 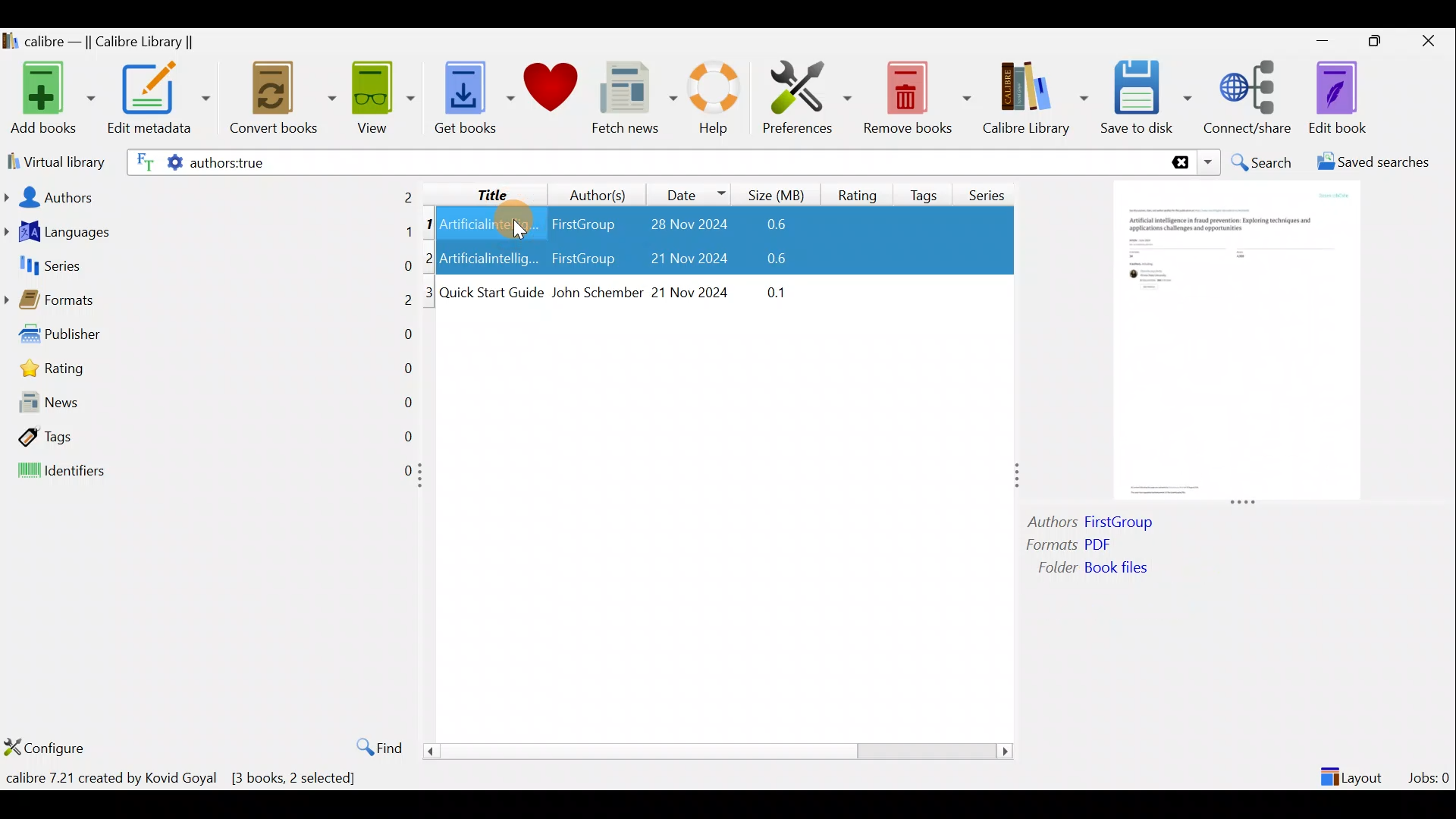 I want to click on Virtual library, so click(x=53, y=160).